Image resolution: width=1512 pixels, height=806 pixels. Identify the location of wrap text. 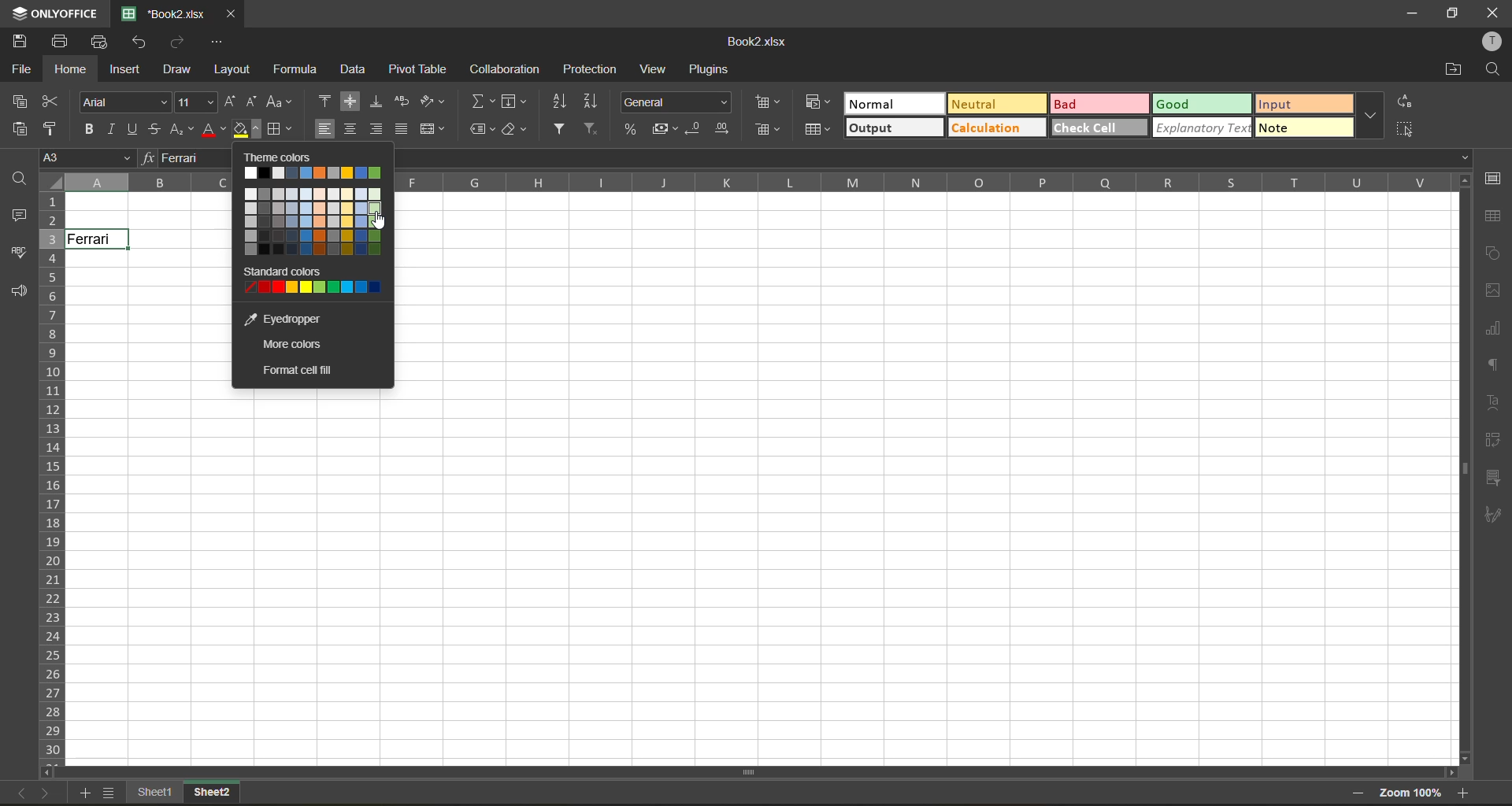
(402, 100).